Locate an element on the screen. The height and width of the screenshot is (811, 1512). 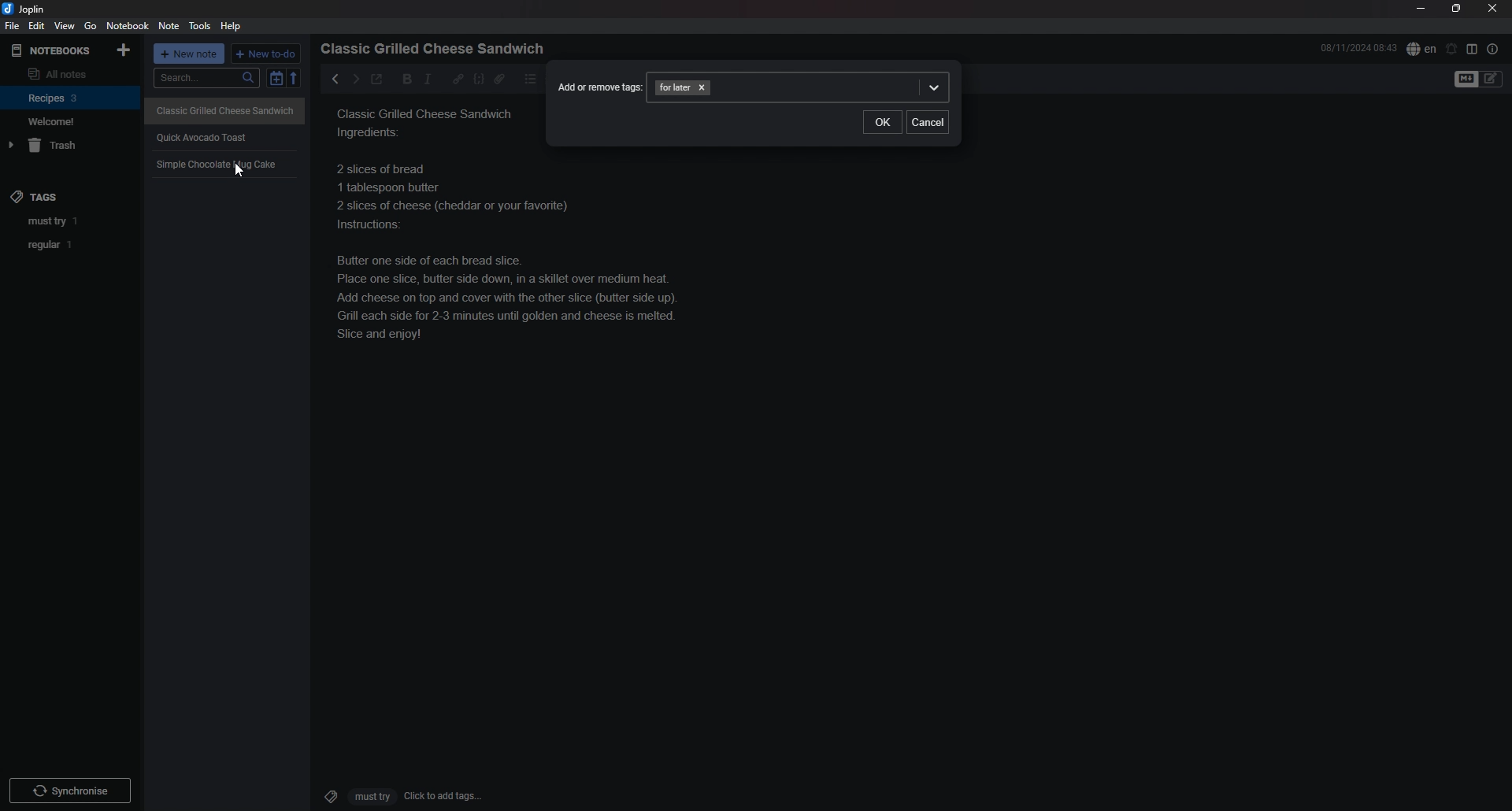
Help is located at coordinates (232, 25).